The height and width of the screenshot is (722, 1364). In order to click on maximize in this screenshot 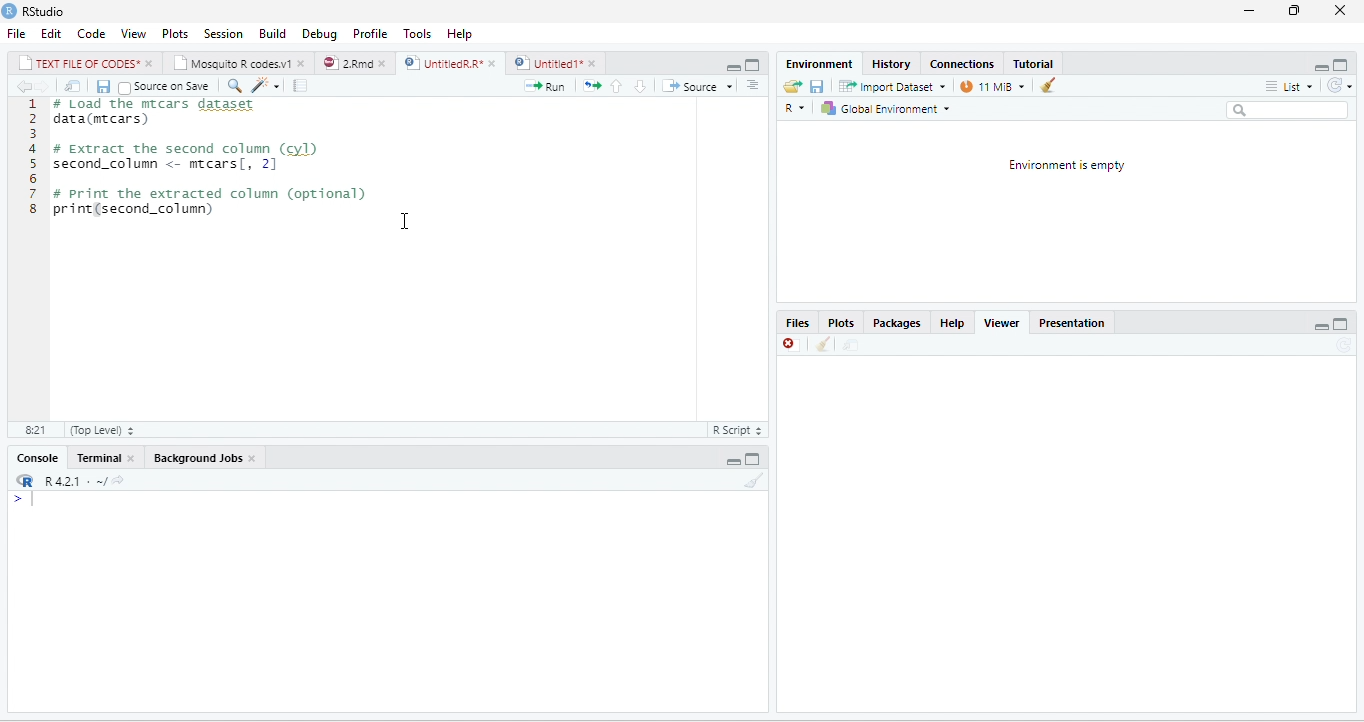, I will do `click(735, 64)`.